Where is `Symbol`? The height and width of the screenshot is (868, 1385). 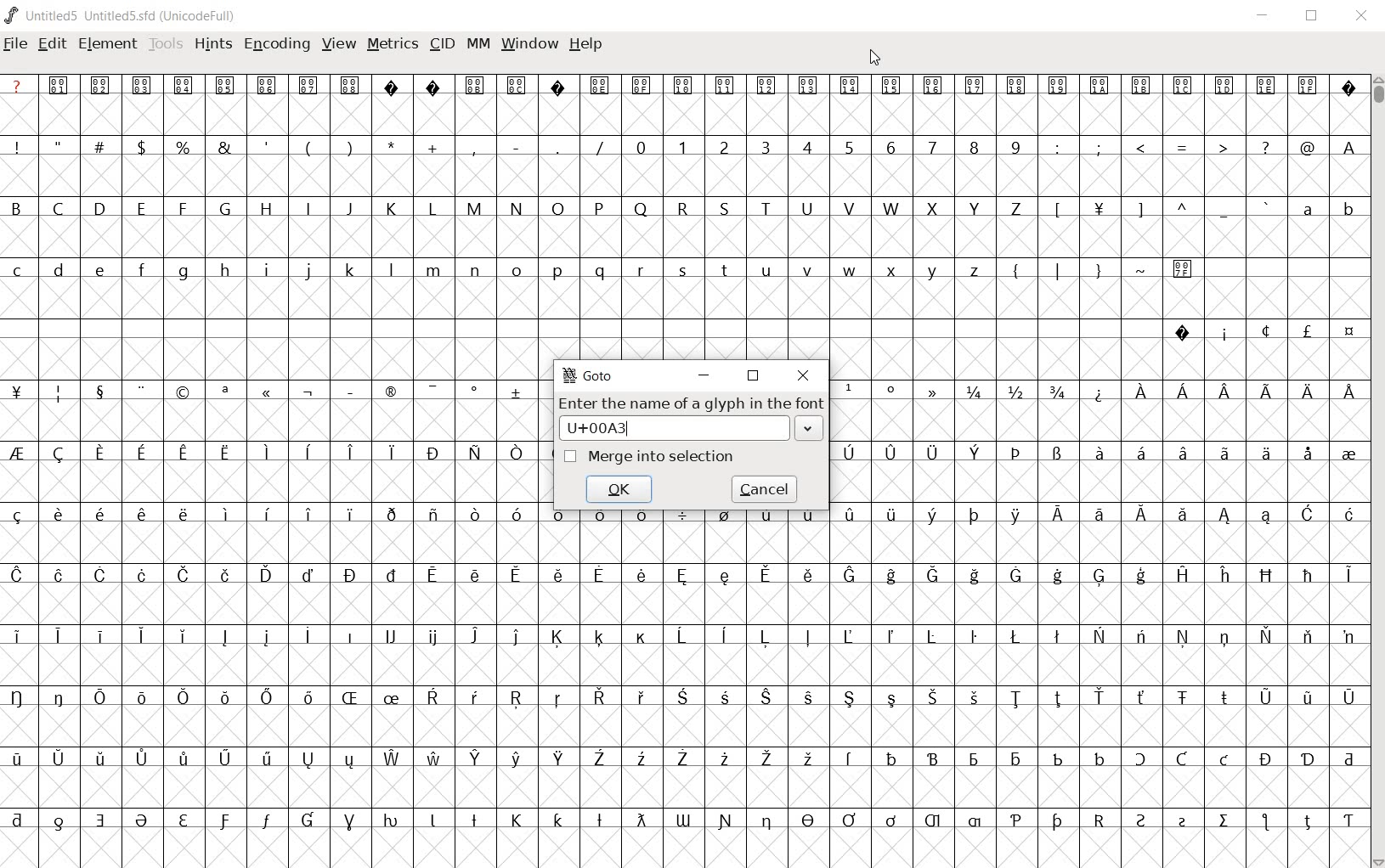
Symbol is located at coordinates (349, 822).